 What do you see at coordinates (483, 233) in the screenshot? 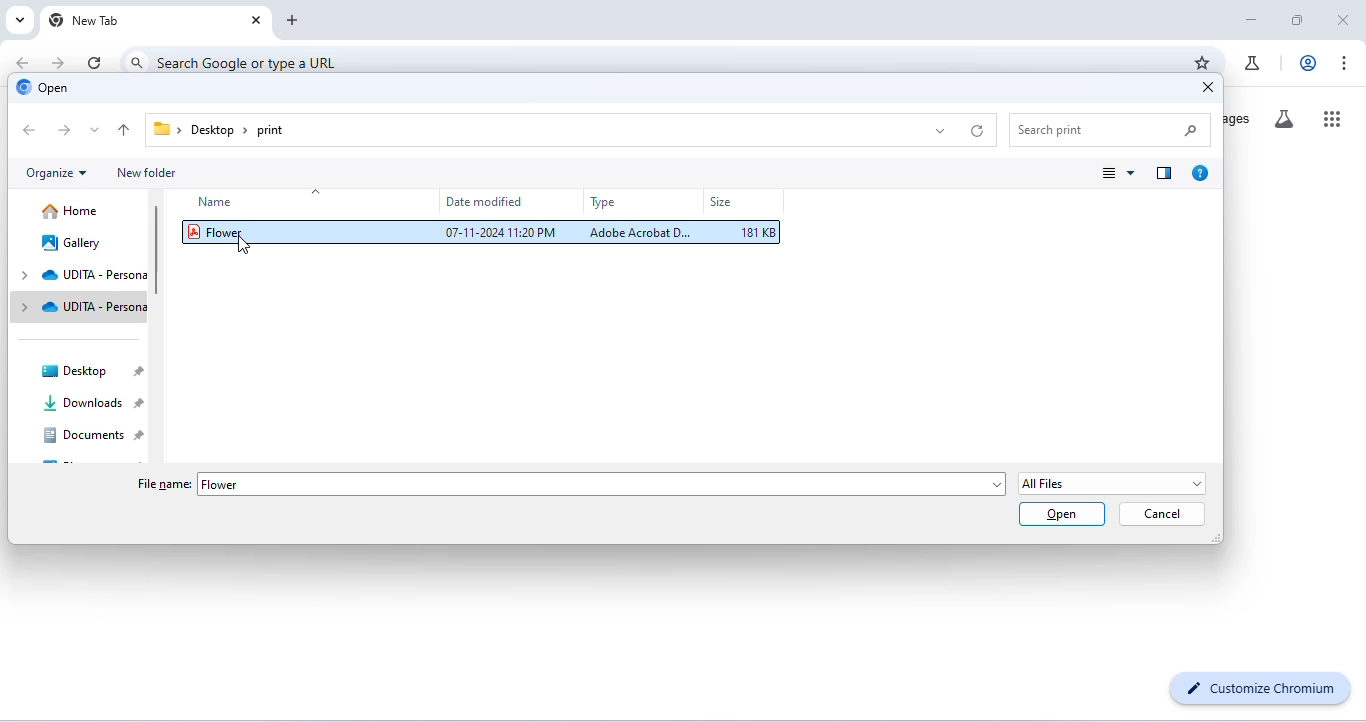
I see `Flower 07-11-2024 11:20PM Adobe Acrobat D. 181 KB` at bounding box center [483, 233].